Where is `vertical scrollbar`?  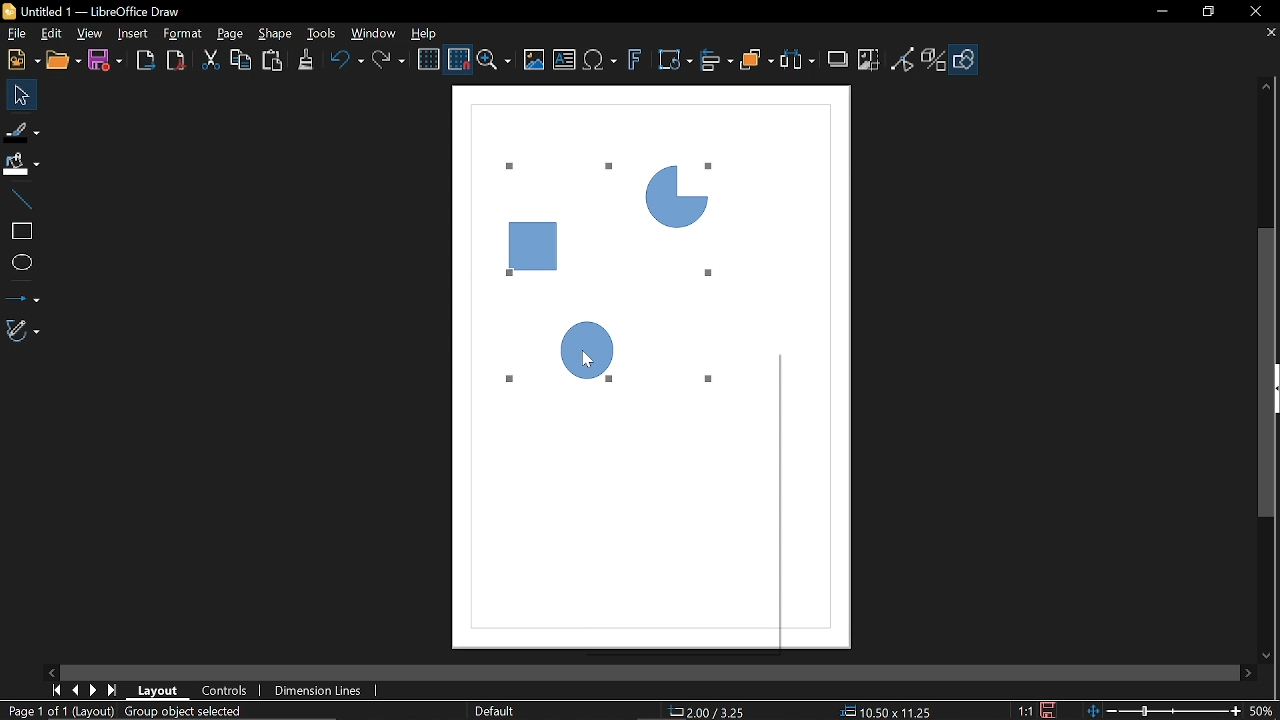
vertical scrollbar is located at coordinates (1270, 373).